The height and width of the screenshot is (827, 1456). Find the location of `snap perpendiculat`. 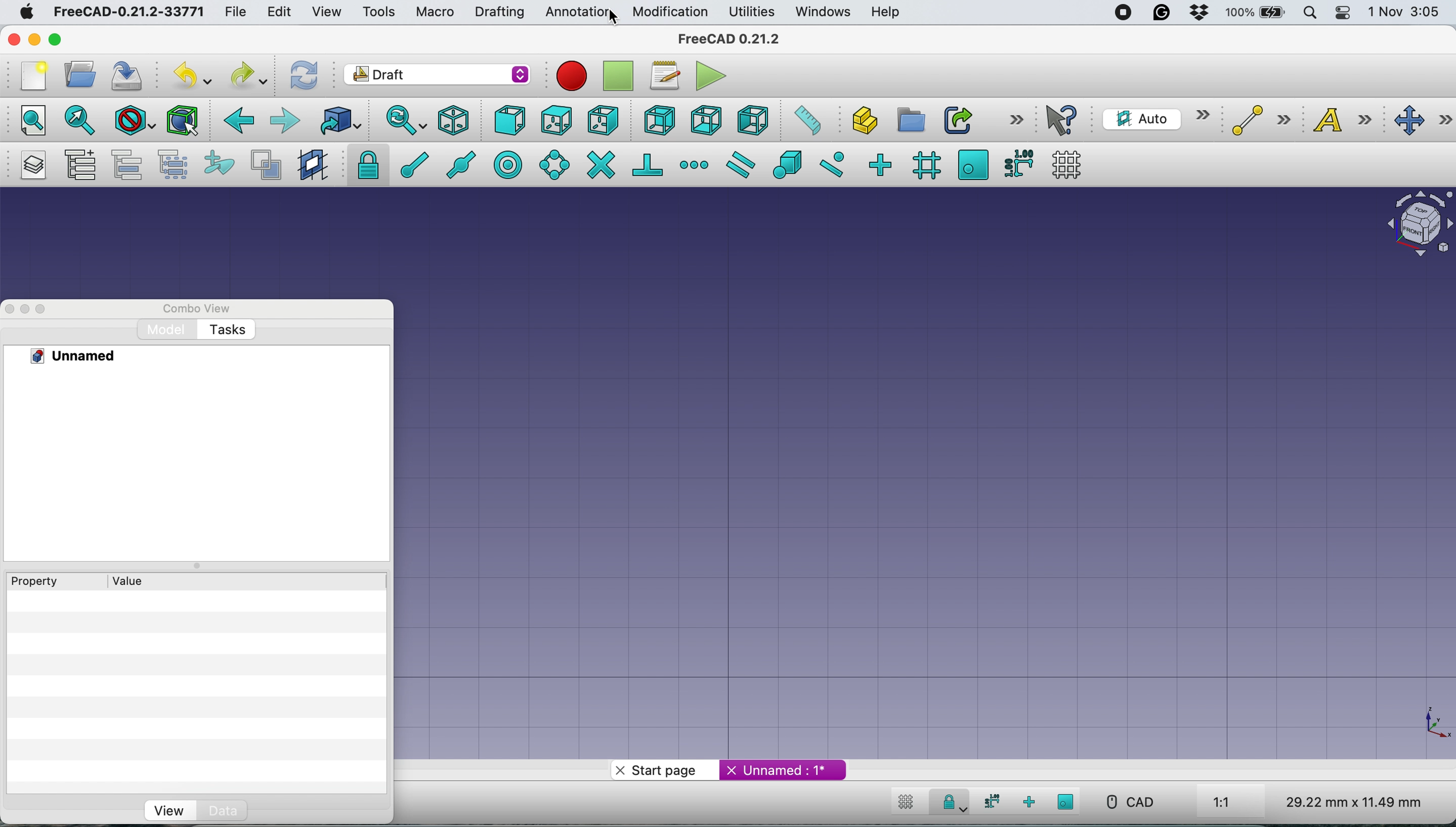

snap perpendiculat is located at coordinates (648, 166).